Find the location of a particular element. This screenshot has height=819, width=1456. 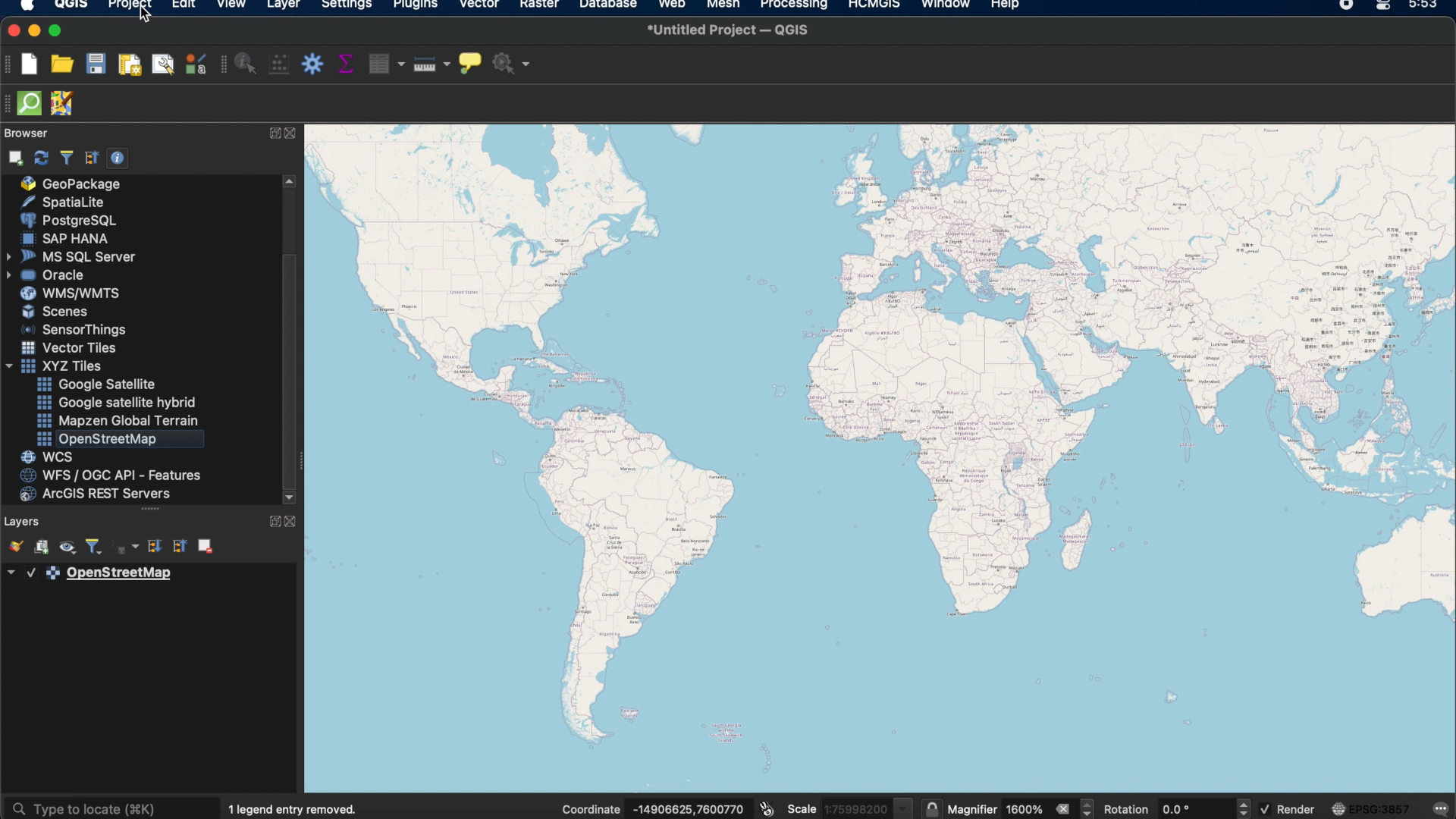

spatiallite is located at coordinates (67, 202).